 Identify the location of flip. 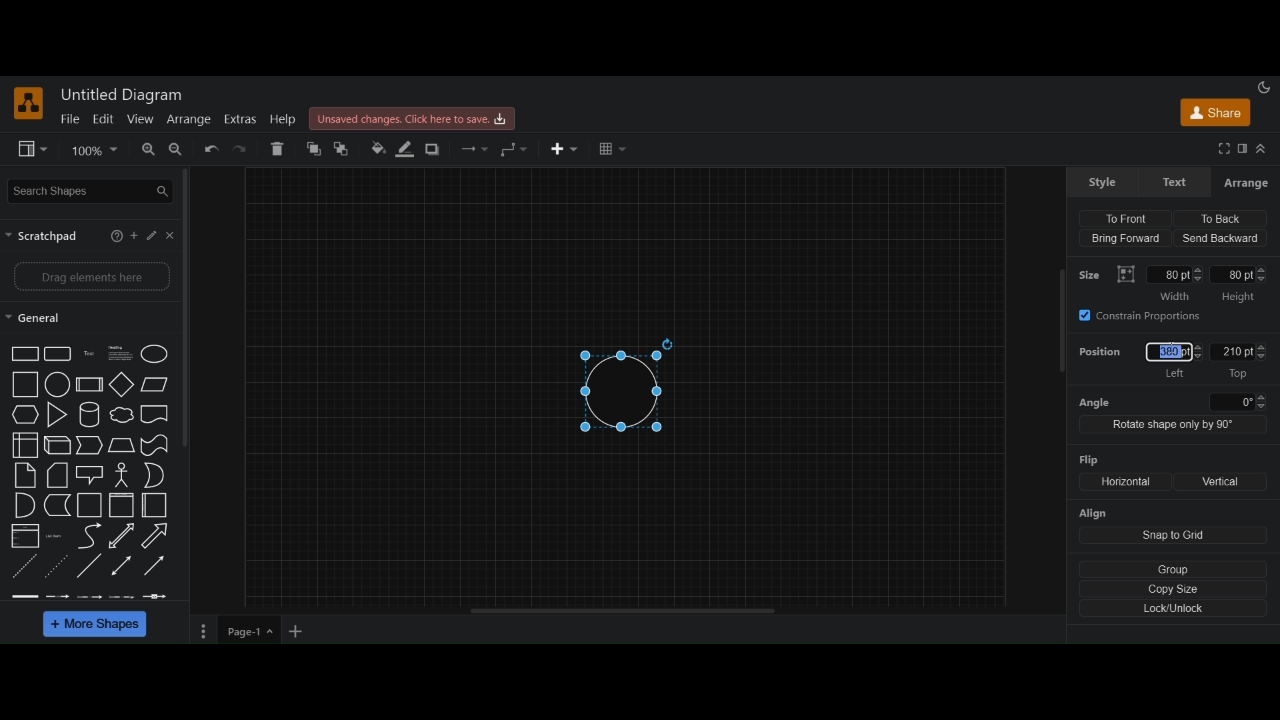
(1087, 460).